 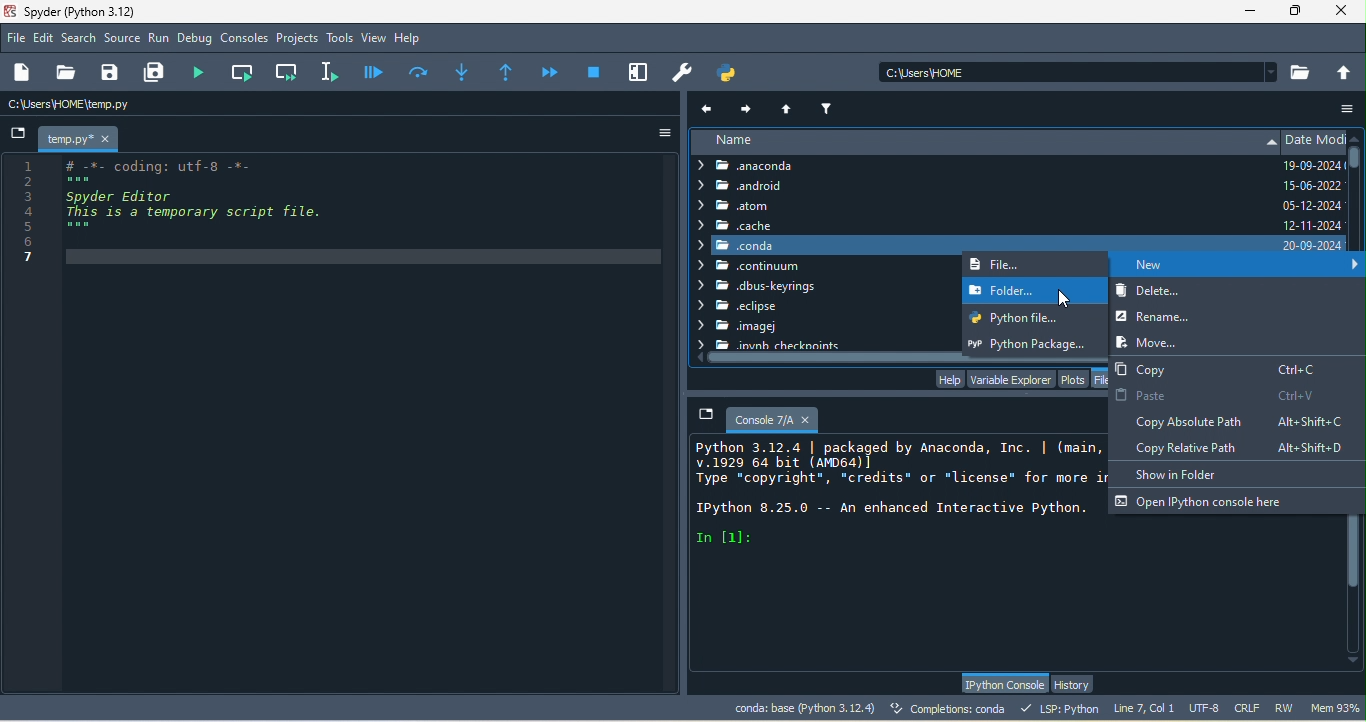 What do you see at coordinates (1204, 501) in the screenshot?
I see `open ipython console here` at bounding box center [1204, 501].